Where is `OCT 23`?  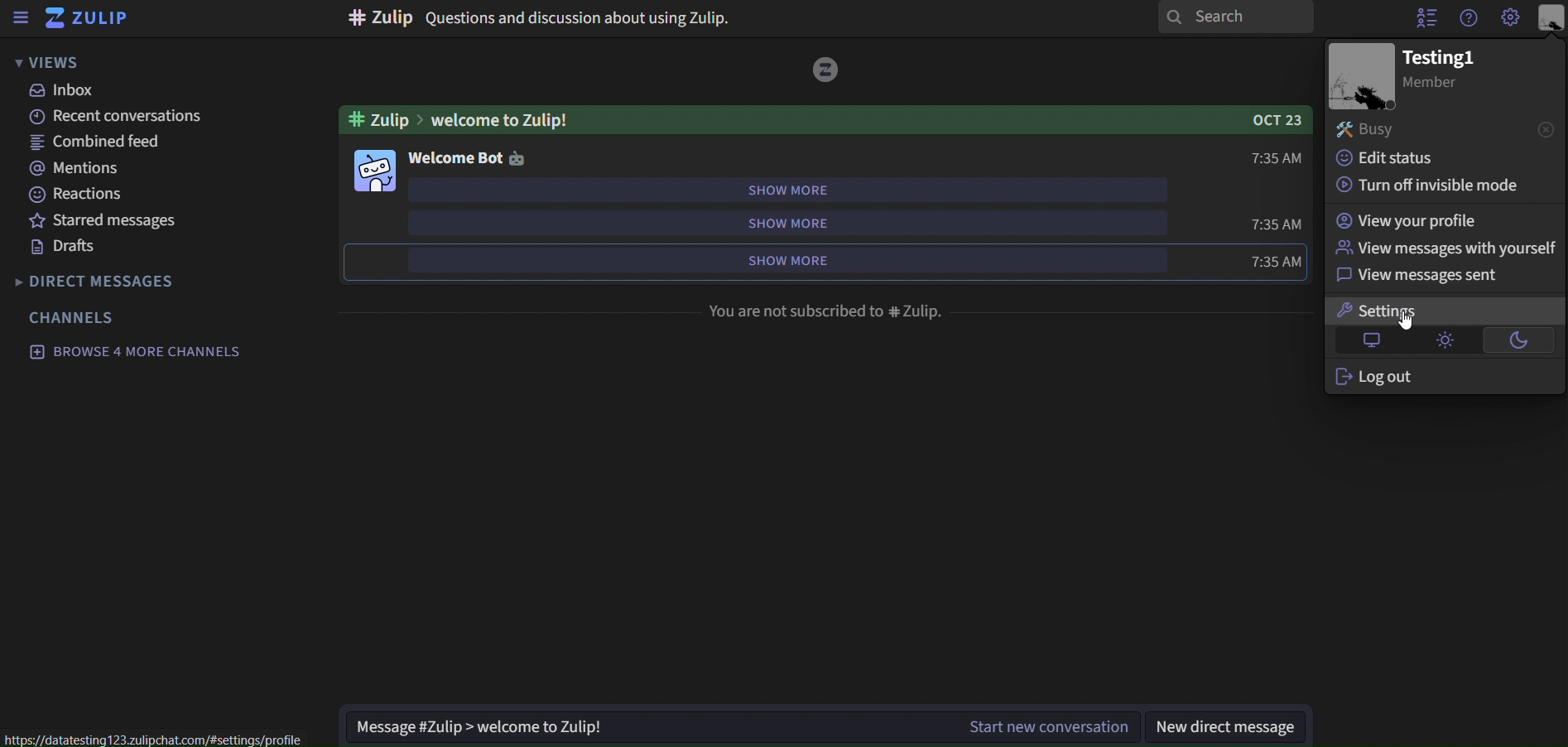
OCT 23 is located at coordinates (1272, 119).